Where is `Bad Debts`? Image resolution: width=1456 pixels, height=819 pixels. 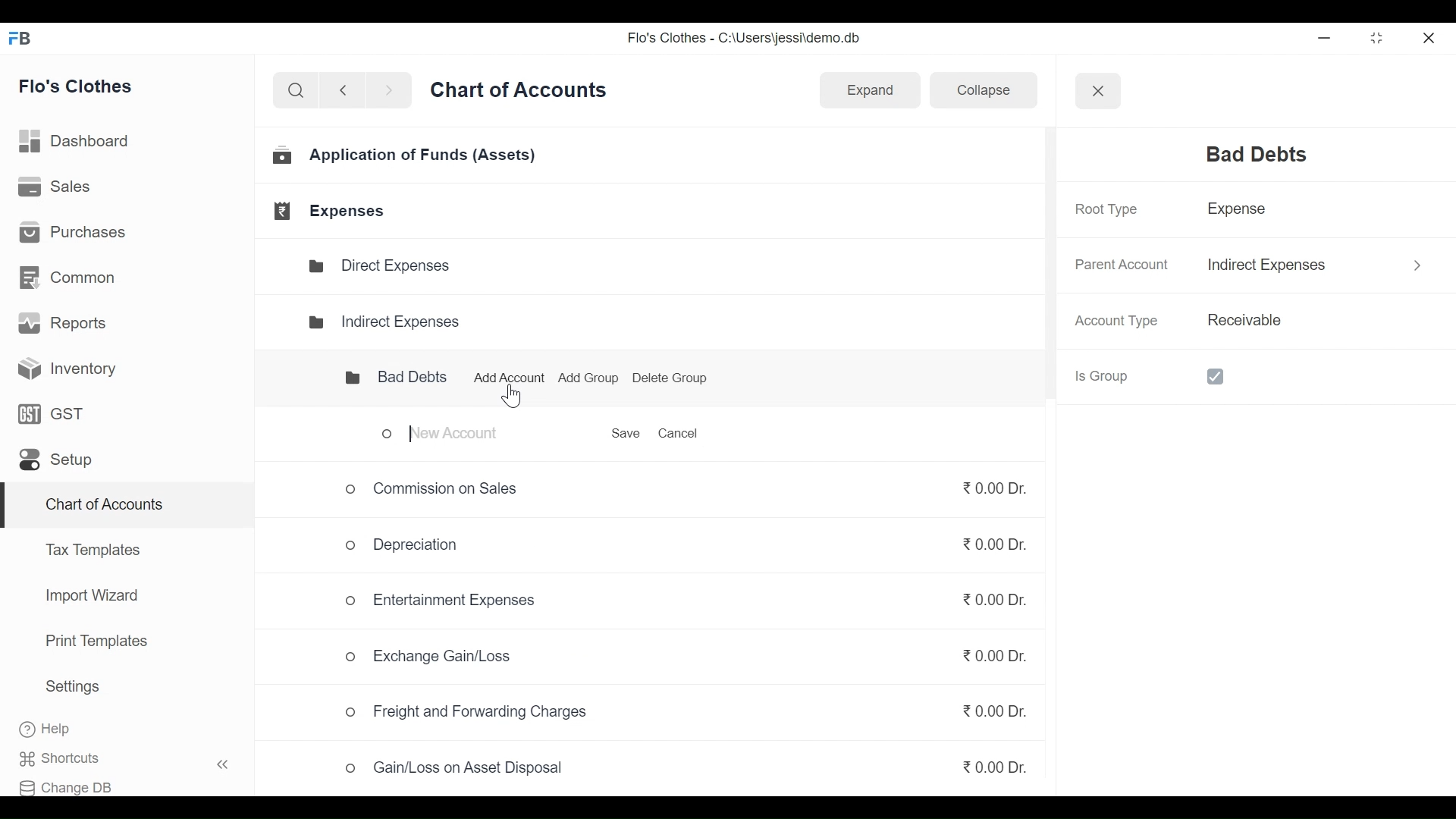 Bad Debts is located at coordinates (1247, 155).